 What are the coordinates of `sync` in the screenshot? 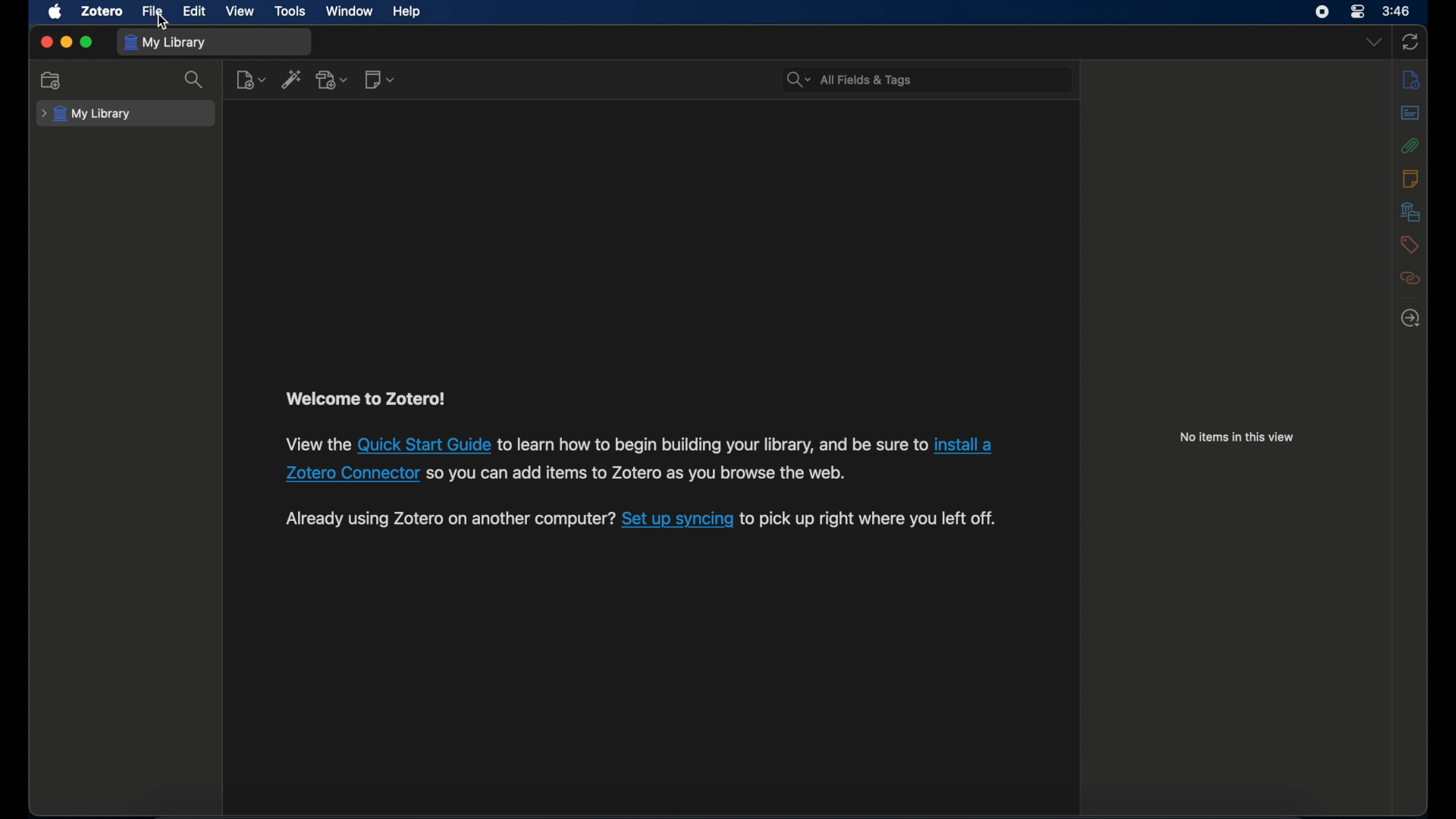 It's located at (1409, 43).